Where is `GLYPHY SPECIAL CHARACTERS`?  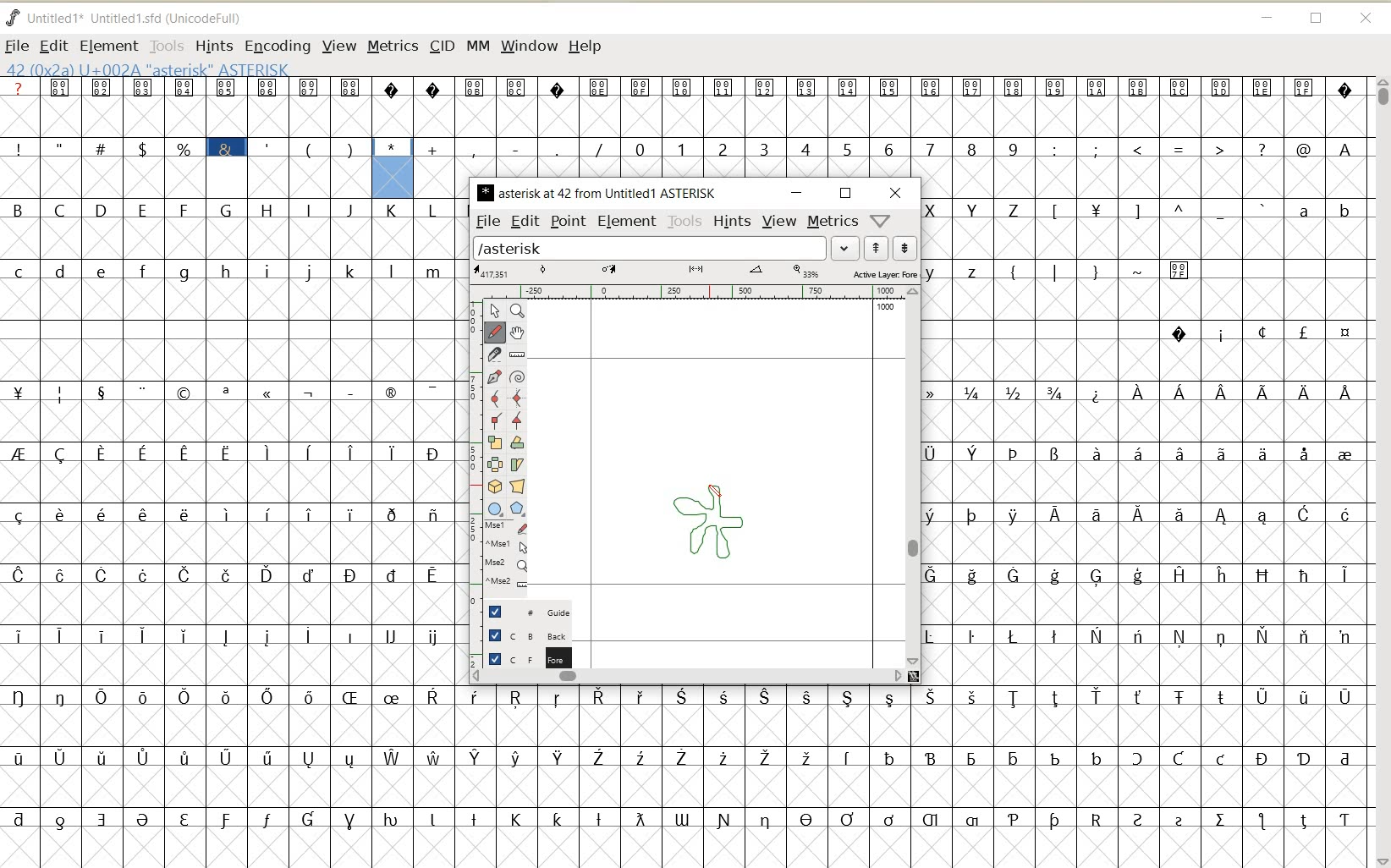
GLYPHY SPECIAL CHARACTERS is located at coordinates (183, 138).